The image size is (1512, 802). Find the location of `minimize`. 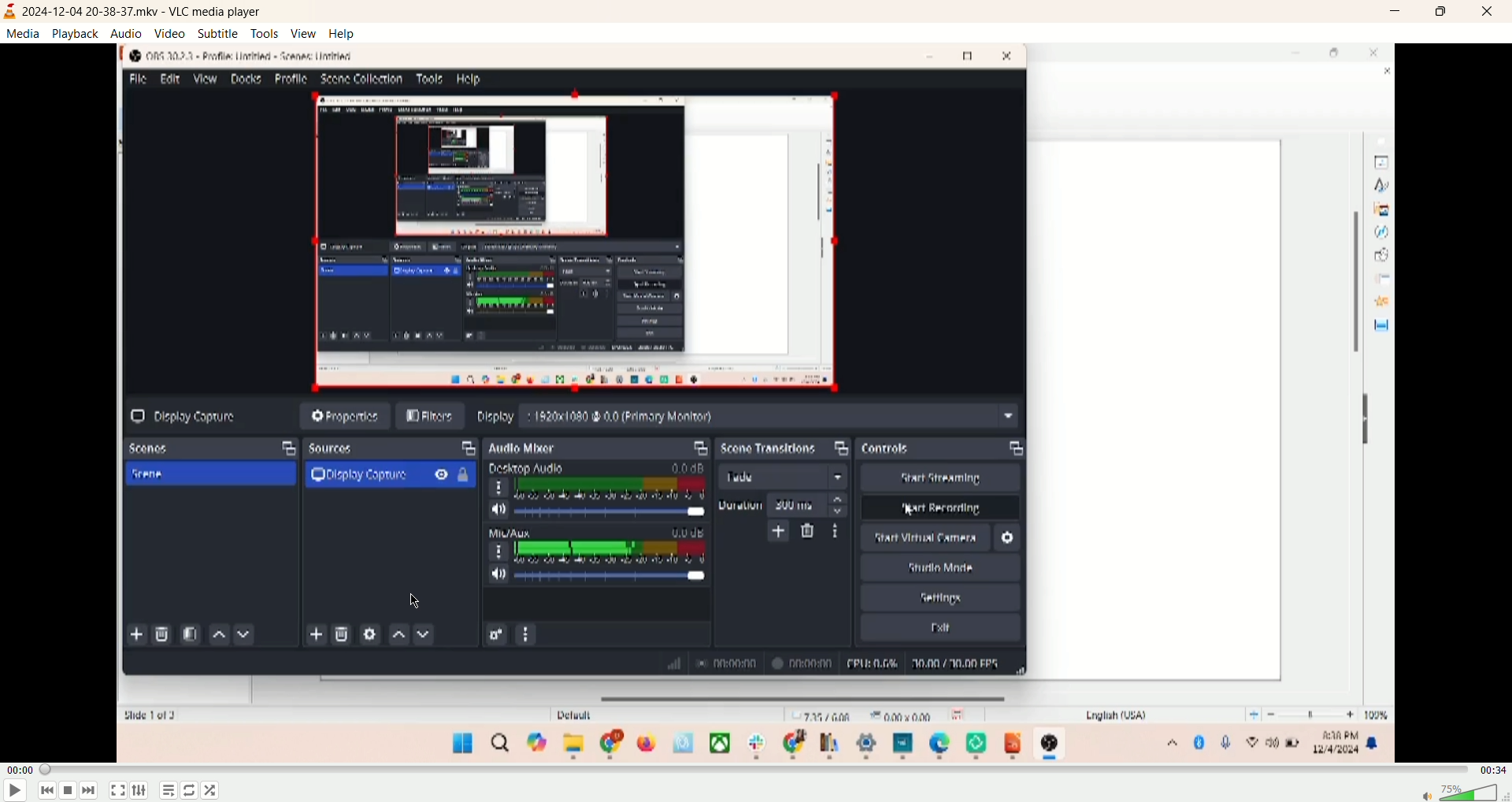

minimize is located at coordinates (1399, 12).